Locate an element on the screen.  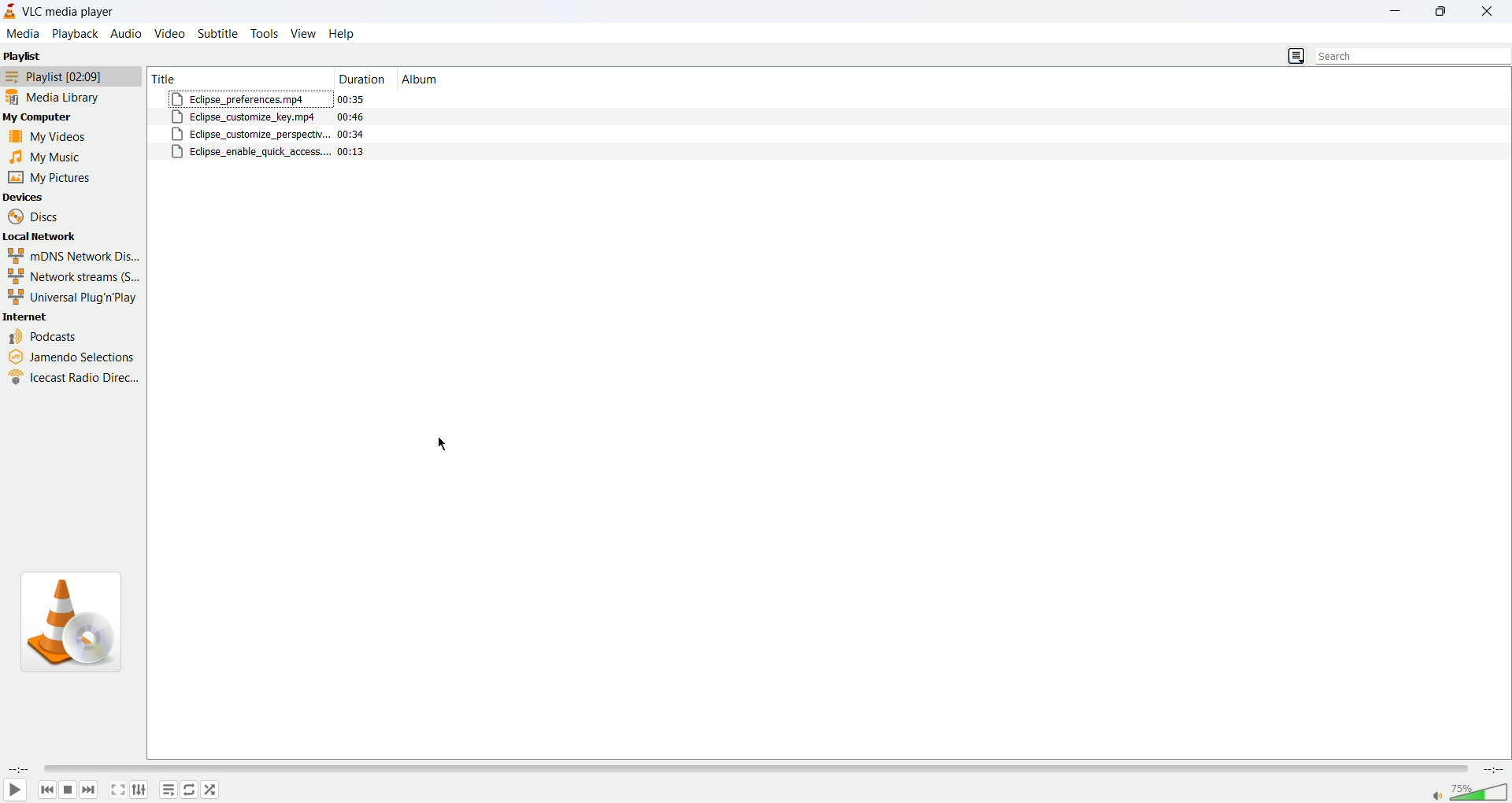
duration is located at coordinates (355, 126).